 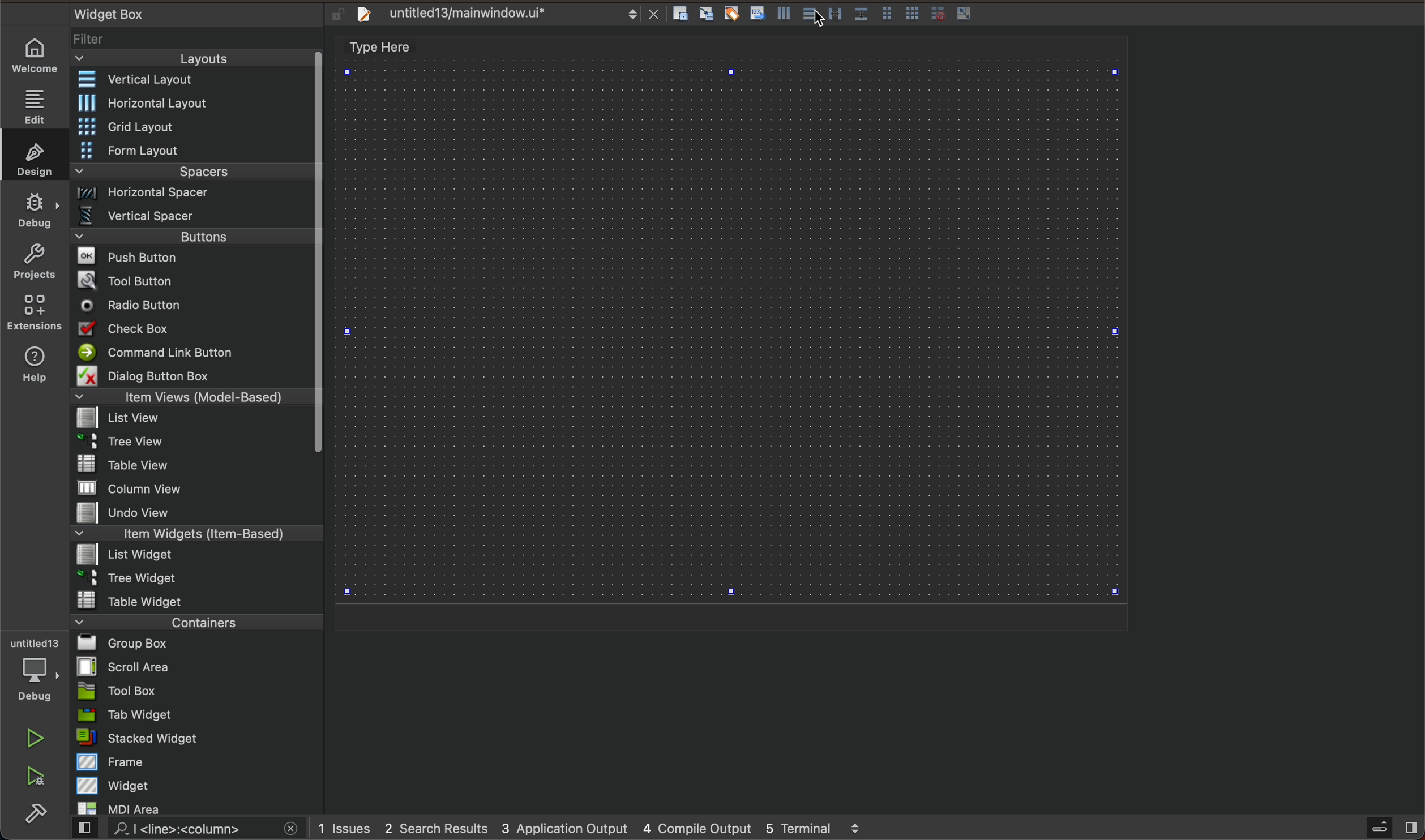 What do you see at coordinates (191, 304) in the screenshot?
I see `radio button` at bounding box center [191, 304].